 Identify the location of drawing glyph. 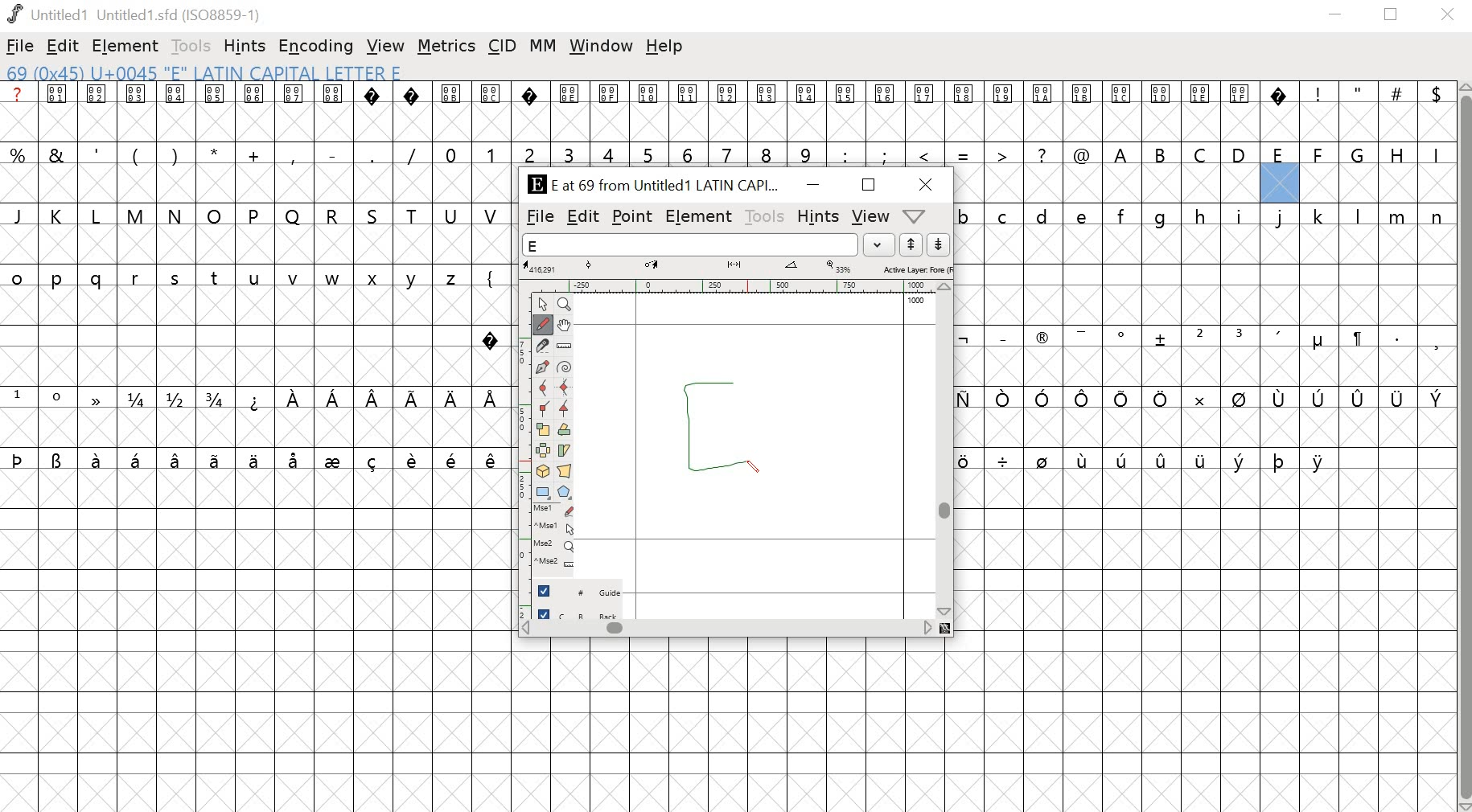
(726, 420).